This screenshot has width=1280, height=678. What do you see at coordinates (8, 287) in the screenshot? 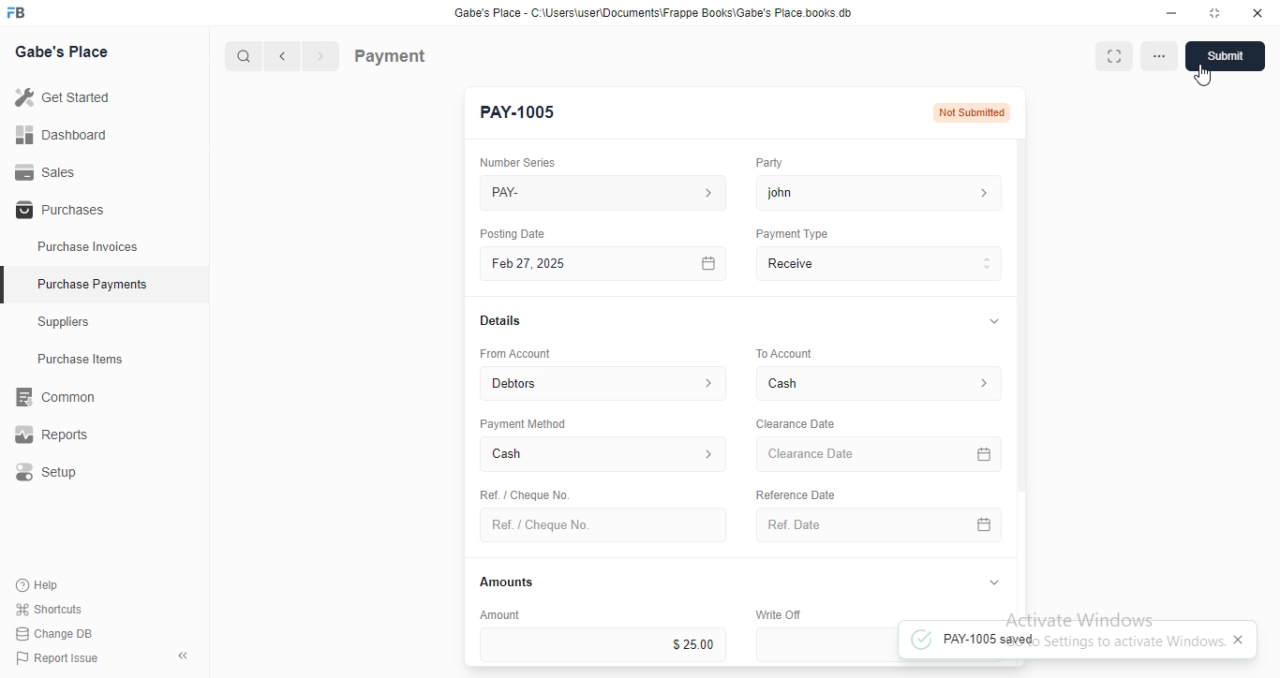
I see `selected` at bounding box center [8, 287].